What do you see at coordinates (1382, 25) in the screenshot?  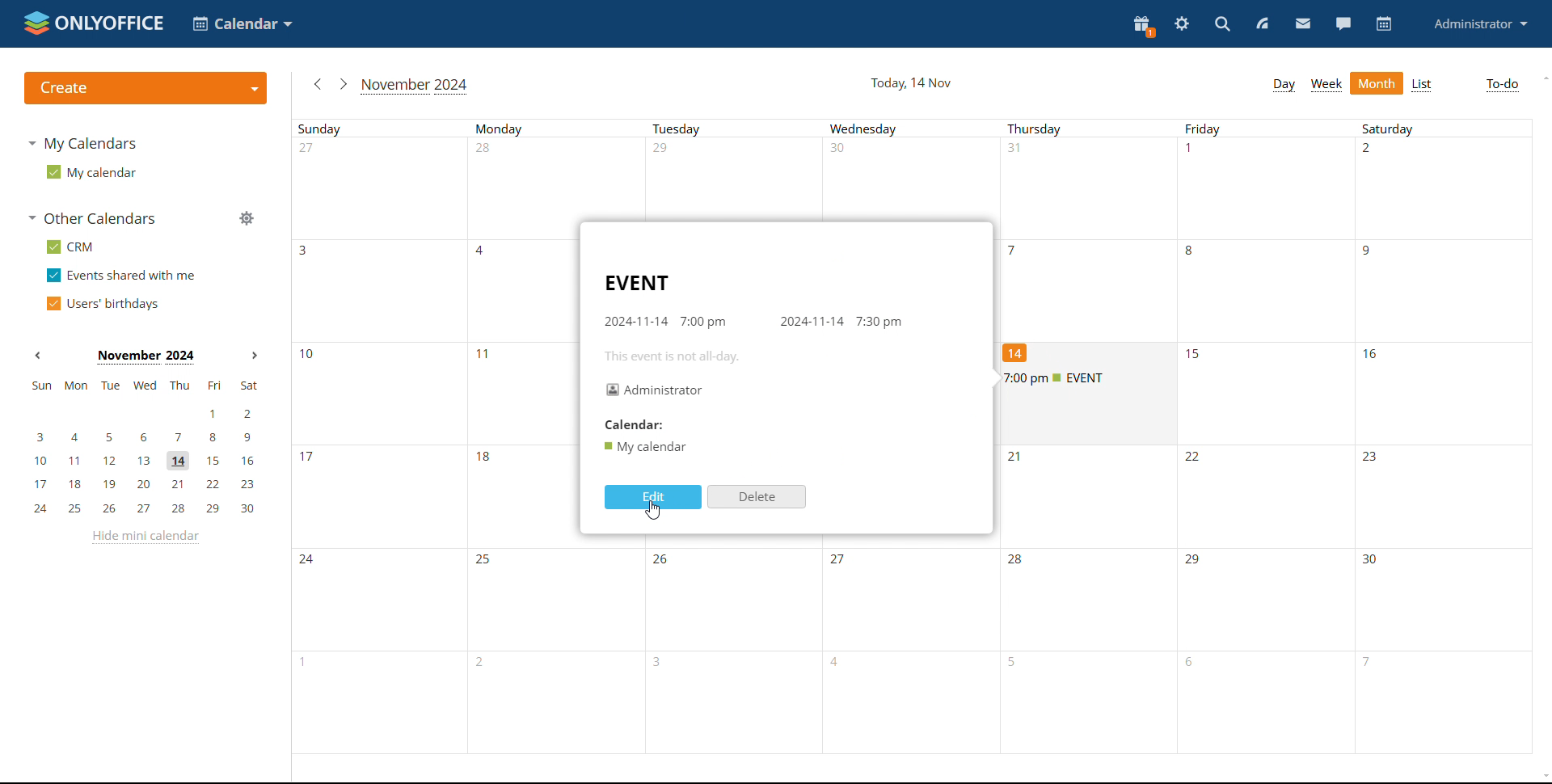 I see `calendar` at bounding box center [1382, 25].